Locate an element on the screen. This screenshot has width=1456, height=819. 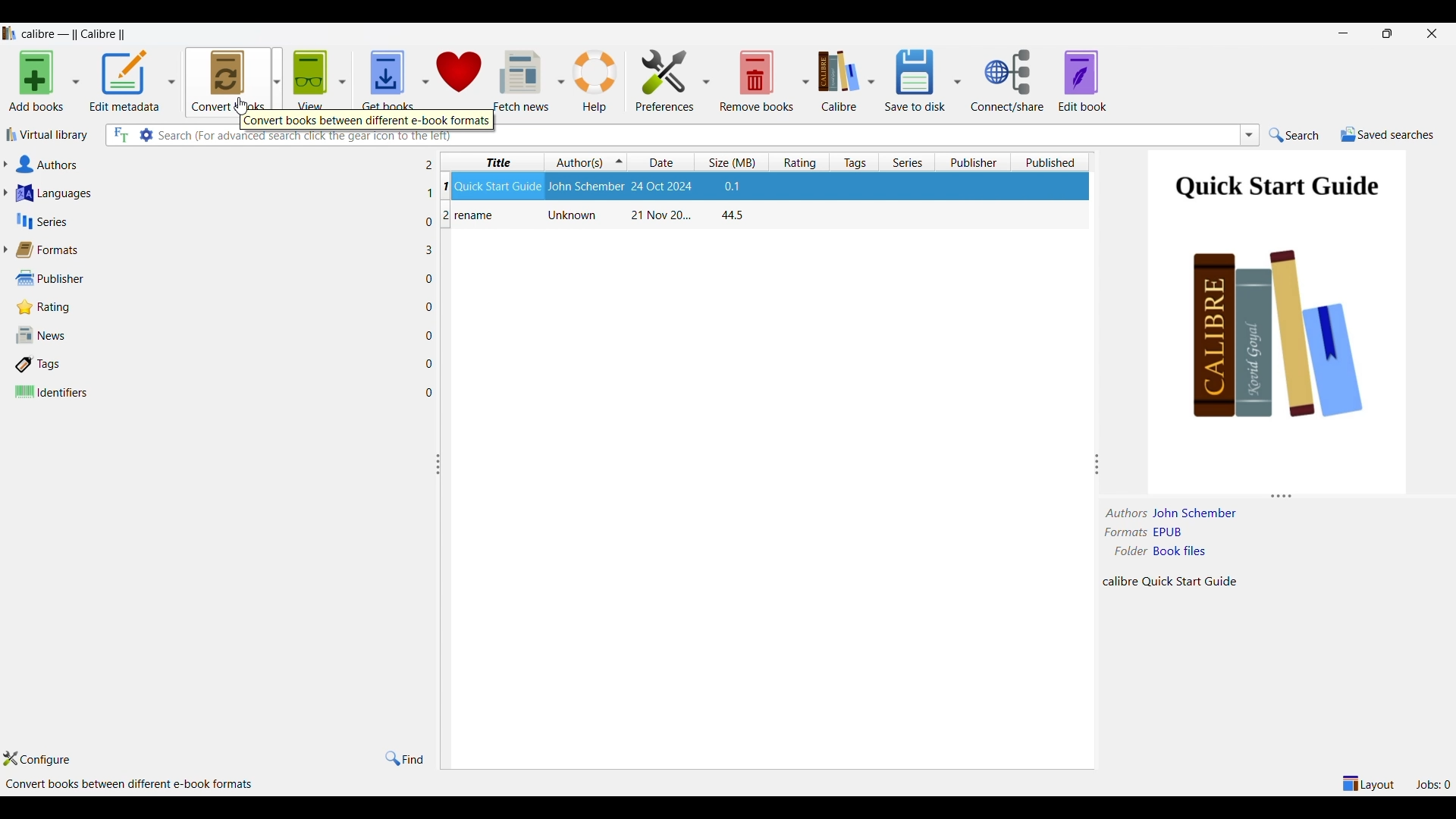
Remove book options is located at coordinates (805, 81).